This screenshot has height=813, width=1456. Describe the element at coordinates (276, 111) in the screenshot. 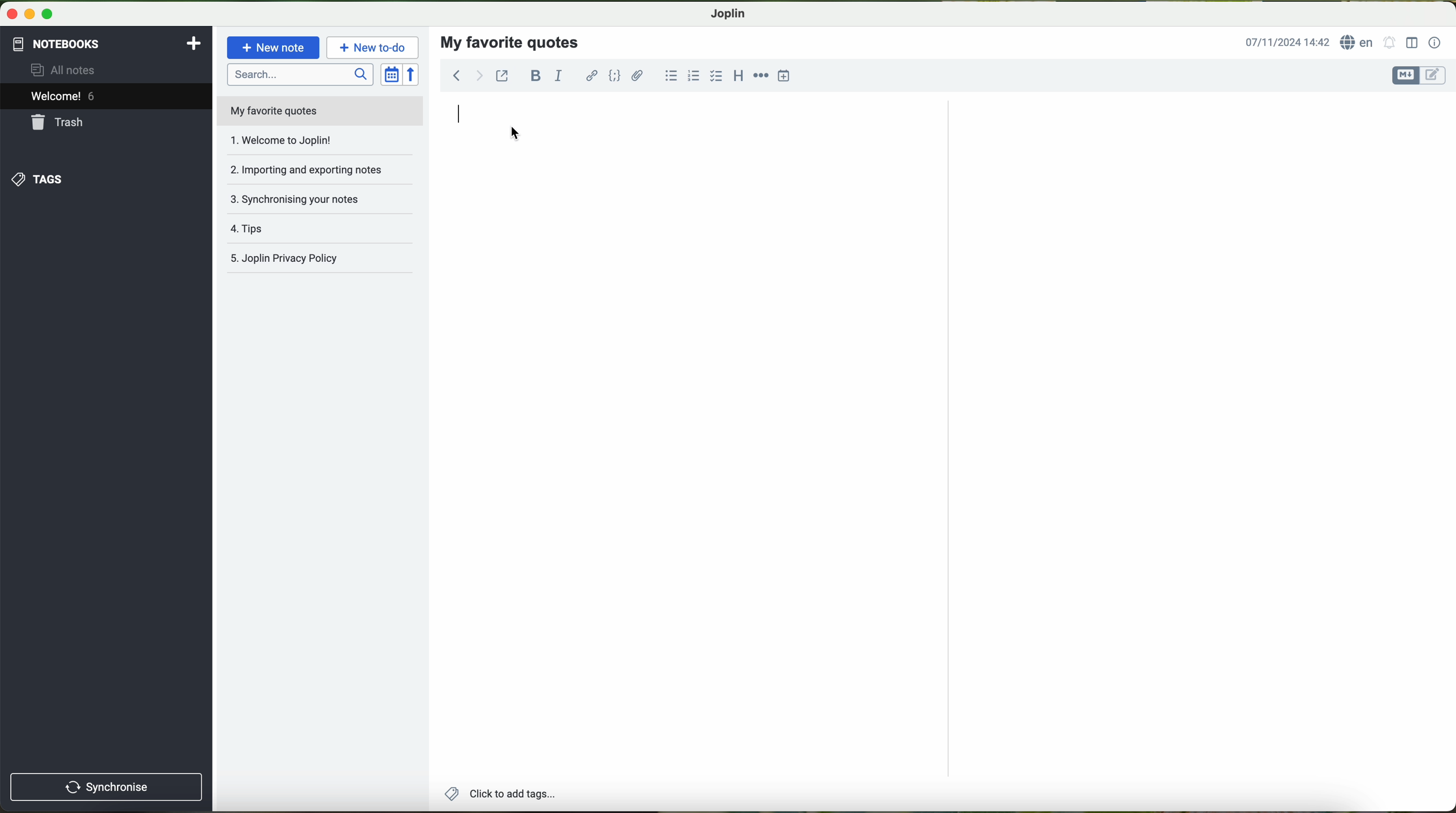

I see `my favorite quotes file` at that location.